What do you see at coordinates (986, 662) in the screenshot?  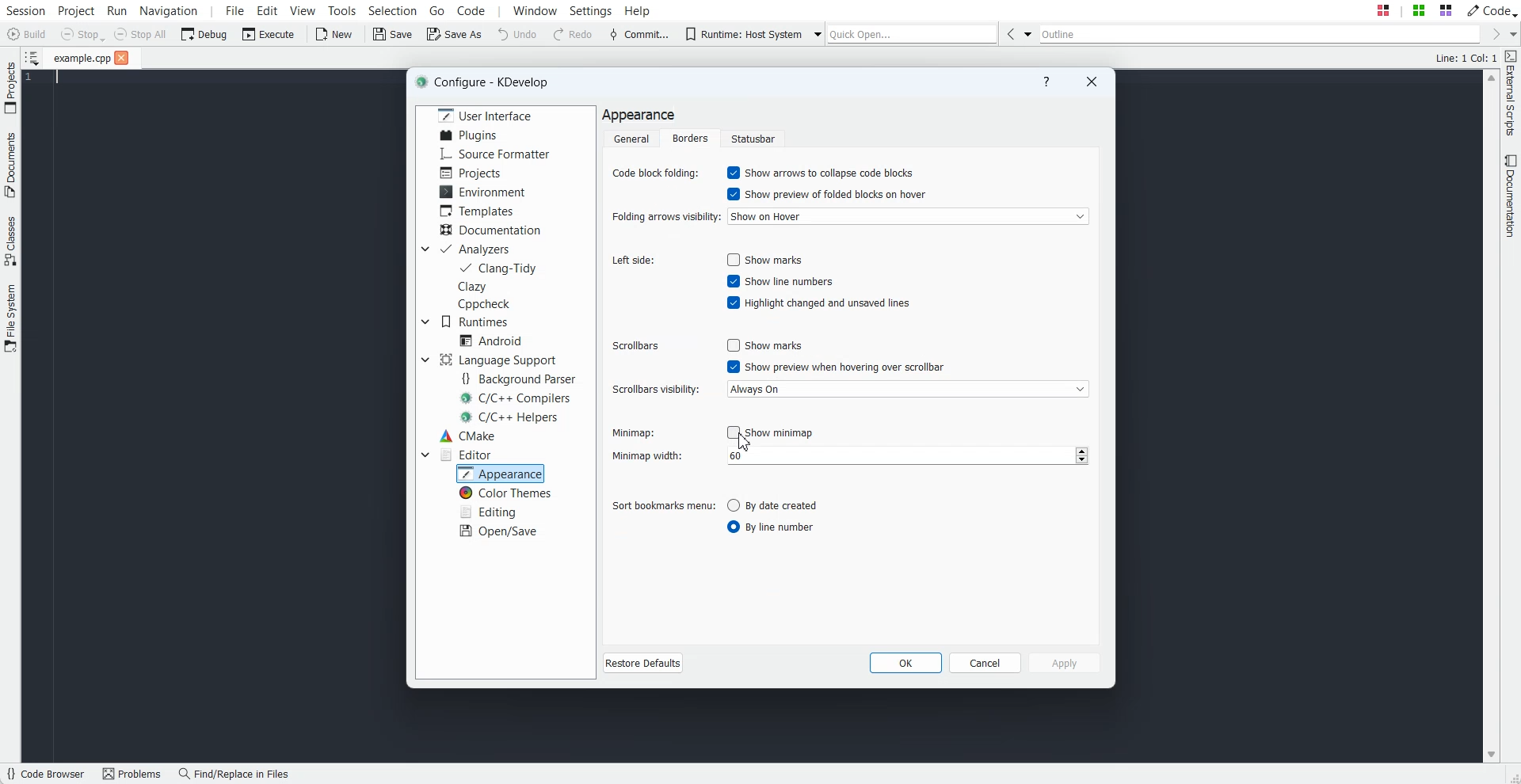 I see `Cancel` at bounding box center [986, 662].